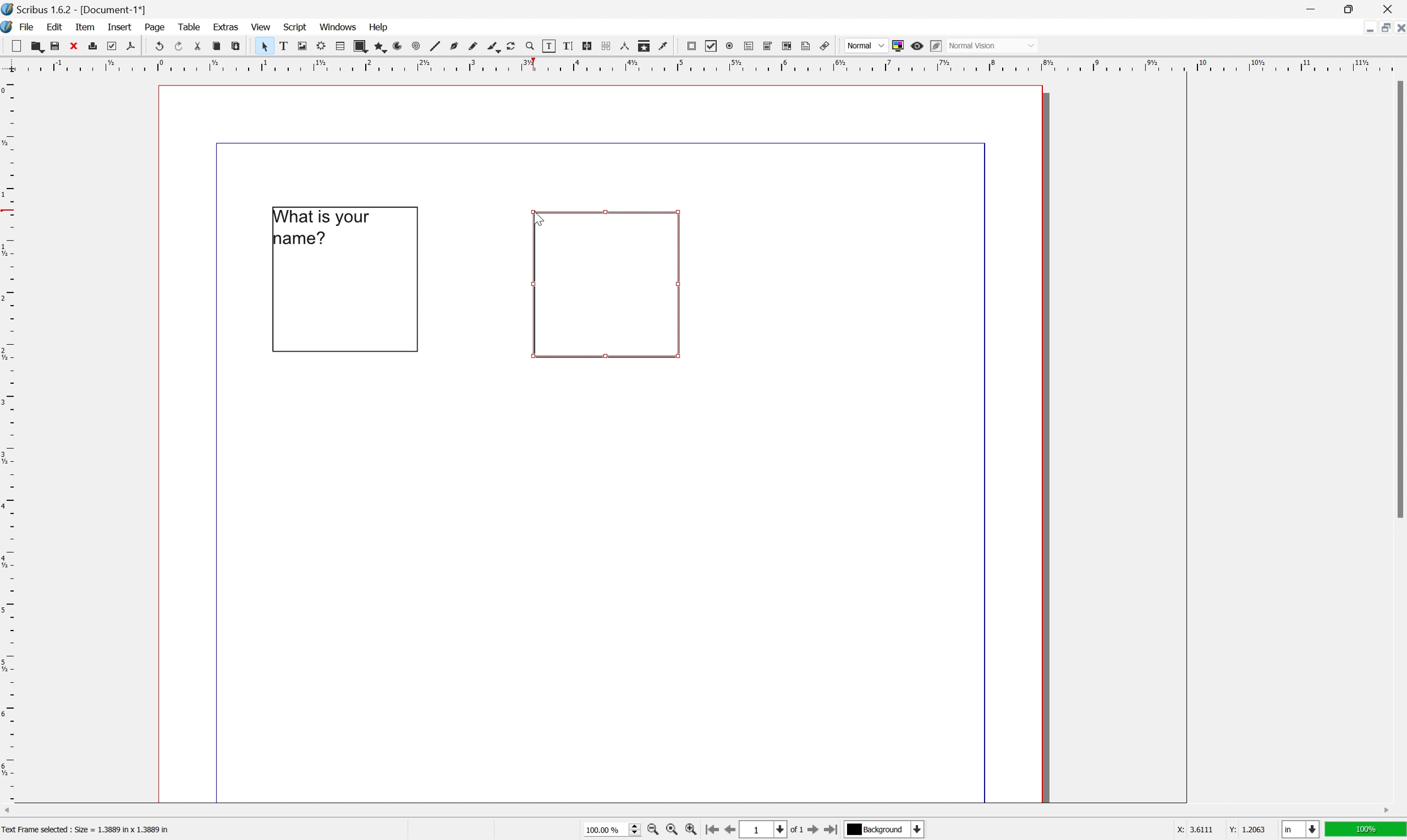  Describe the element at coordinates (93, 45) in the screenshot. I see `print` at that location.